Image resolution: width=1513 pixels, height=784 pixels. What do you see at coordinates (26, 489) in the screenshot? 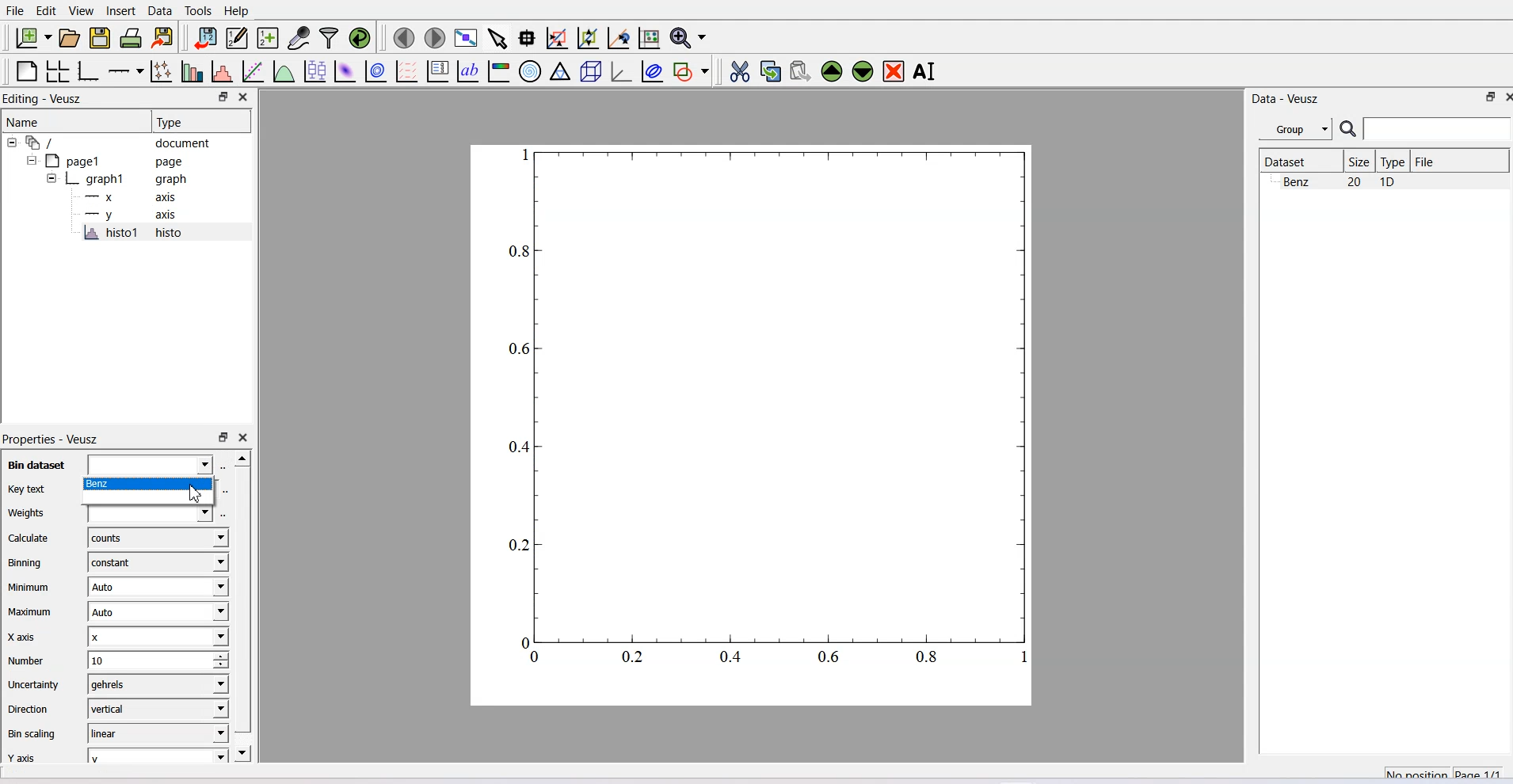
I see `Key text` at bounding box center [26, 489].